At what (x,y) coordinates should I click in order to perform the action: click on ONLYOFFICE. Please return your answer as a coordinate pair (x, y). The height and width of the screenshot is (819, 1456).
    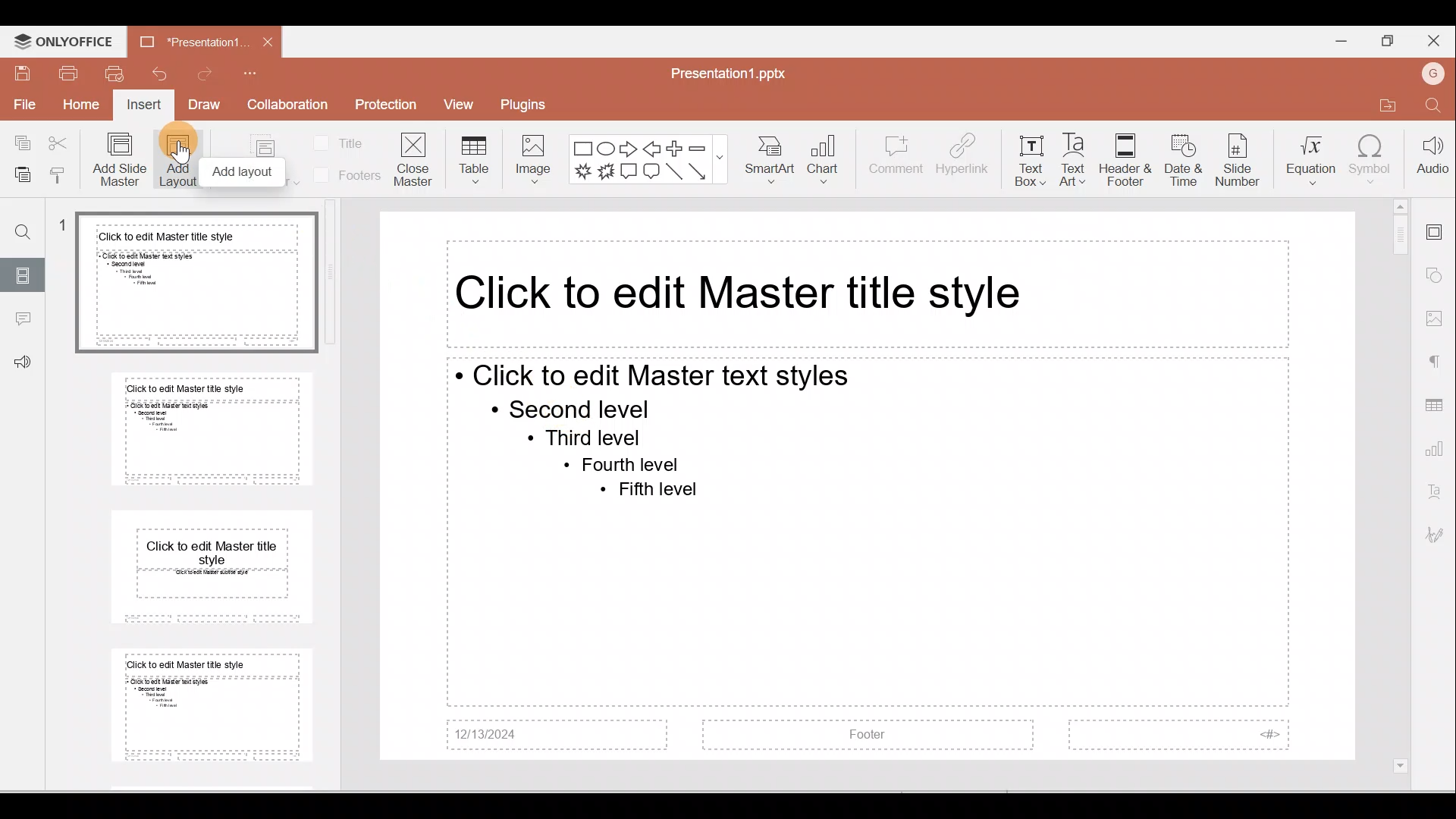
    Looking at the image, I should click on (62, 42).